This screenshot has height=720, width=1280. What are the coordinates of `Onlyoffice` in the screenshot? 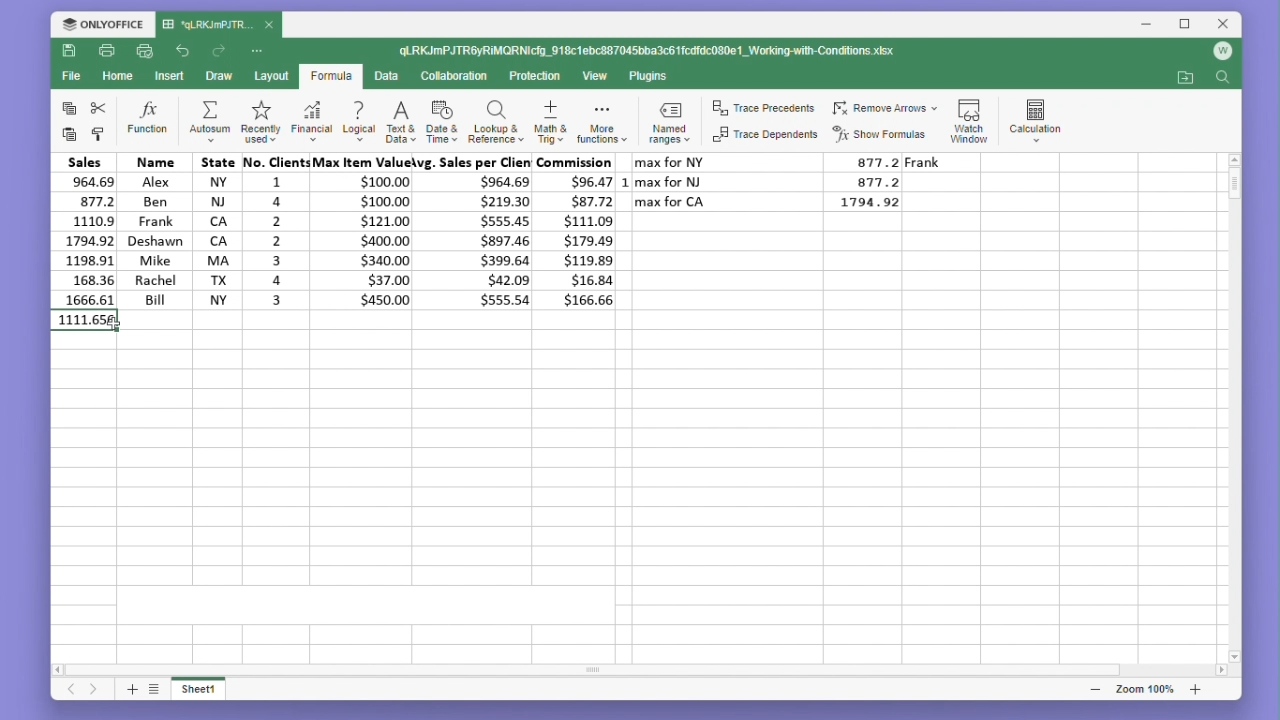 It's located at (102, 24).